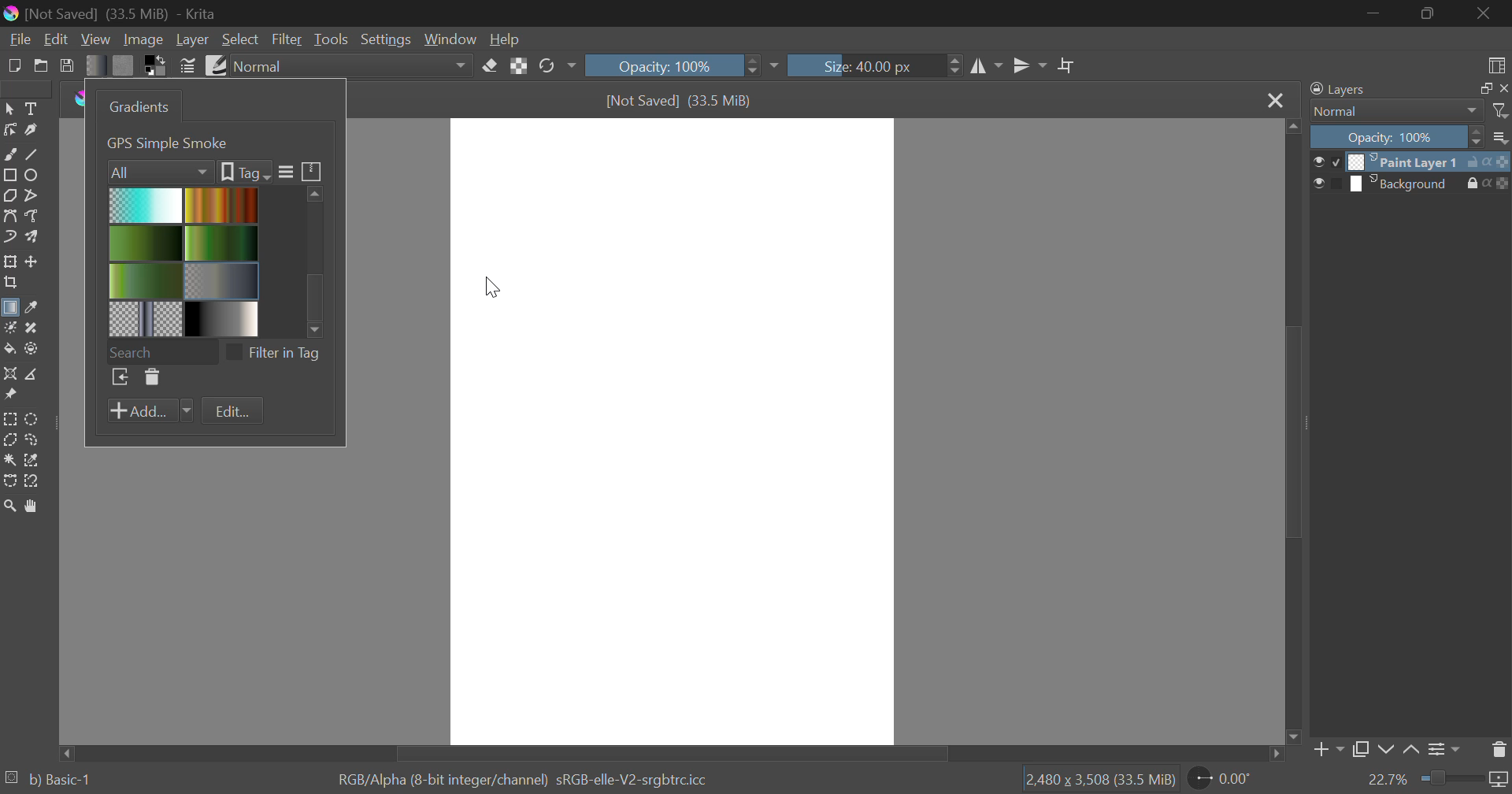  Describe the element at coordinates (219, 204) in the screenshot. I see `Gradient 2` at that location.